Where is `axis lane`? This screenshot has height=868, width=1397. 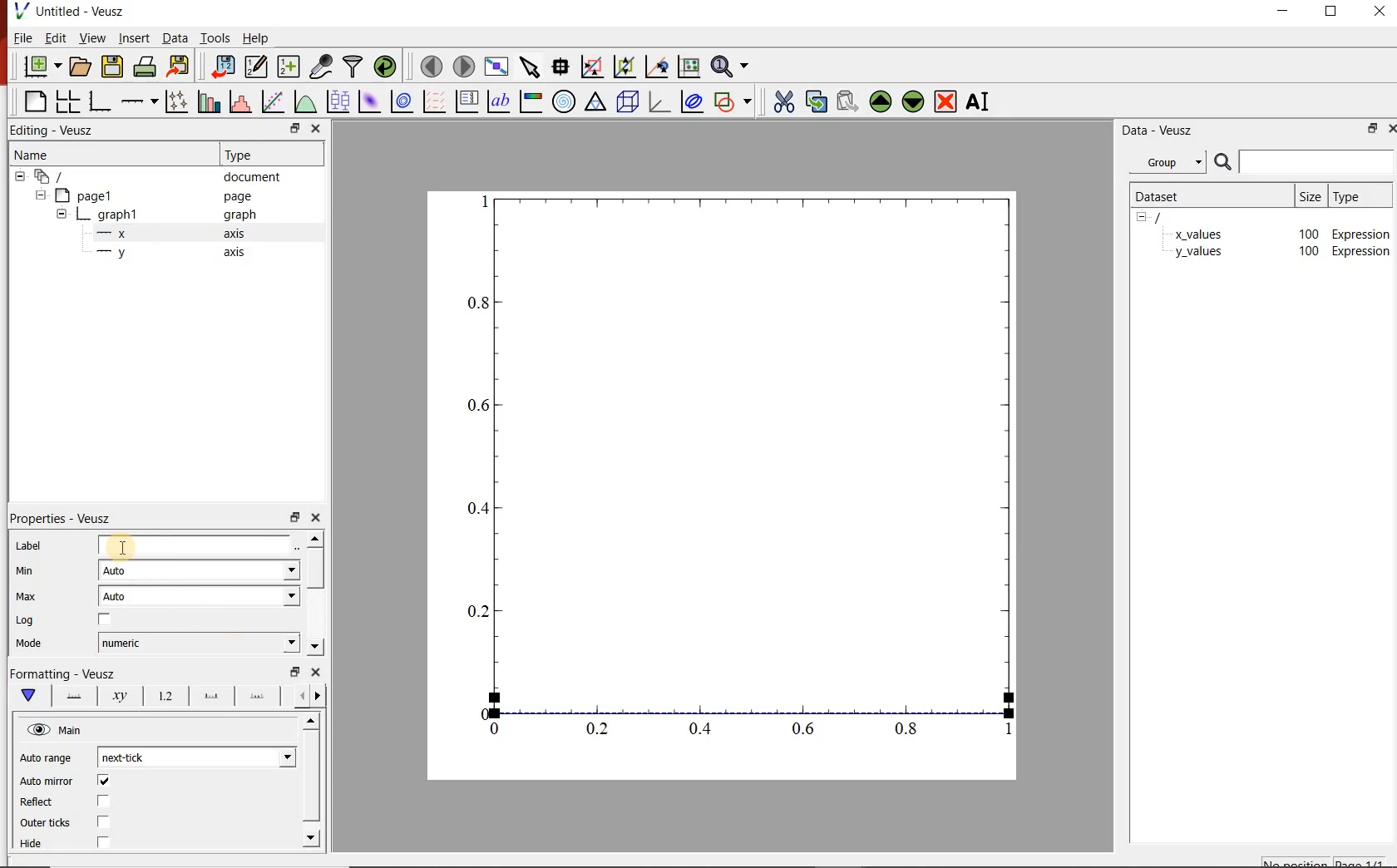
axis lane is located at coordinates (75, 698).